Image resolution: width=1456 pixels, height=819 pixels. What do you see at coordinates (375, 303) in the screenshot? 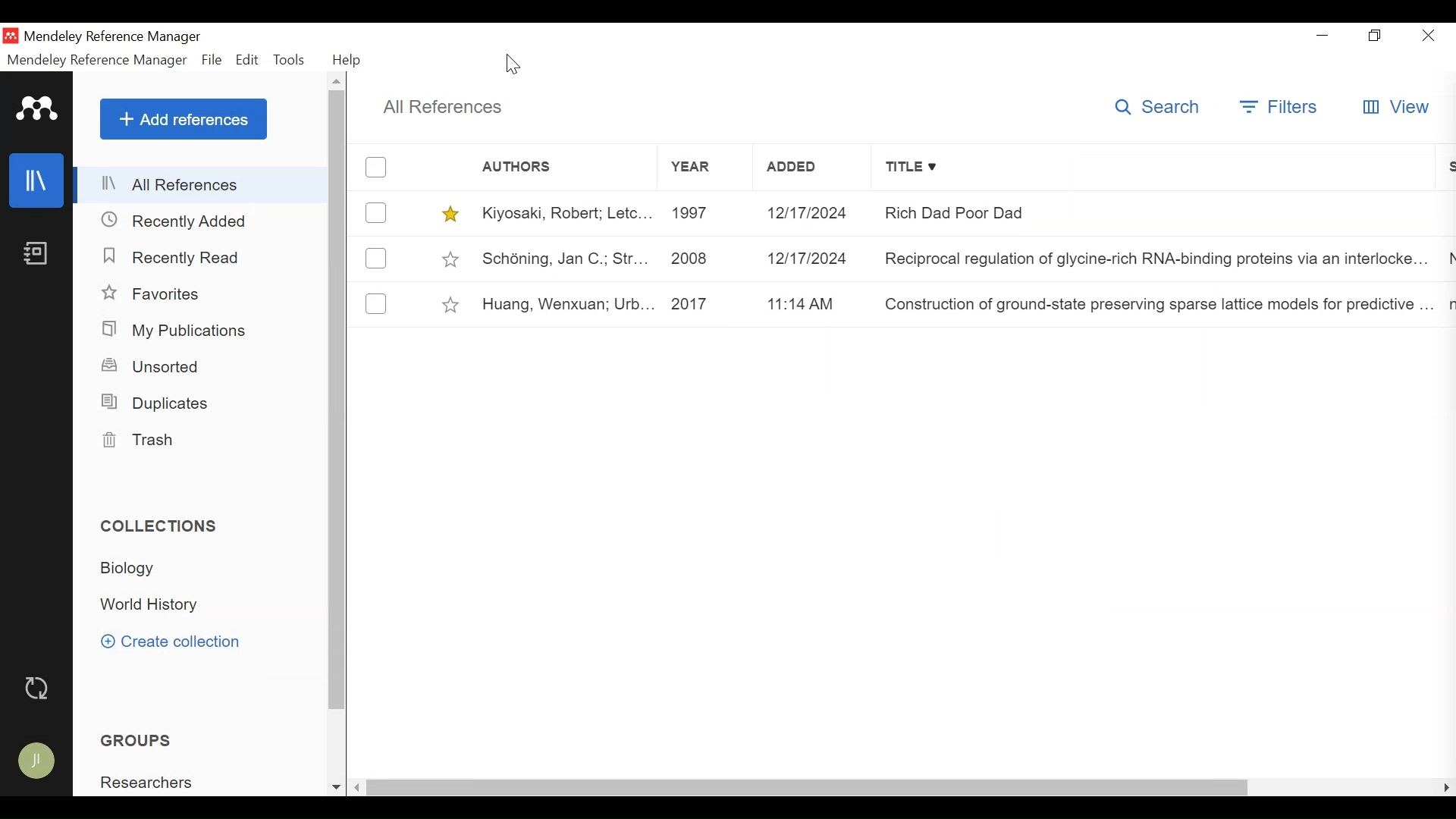
I see `(un)select` at bounding box center [375, 303].